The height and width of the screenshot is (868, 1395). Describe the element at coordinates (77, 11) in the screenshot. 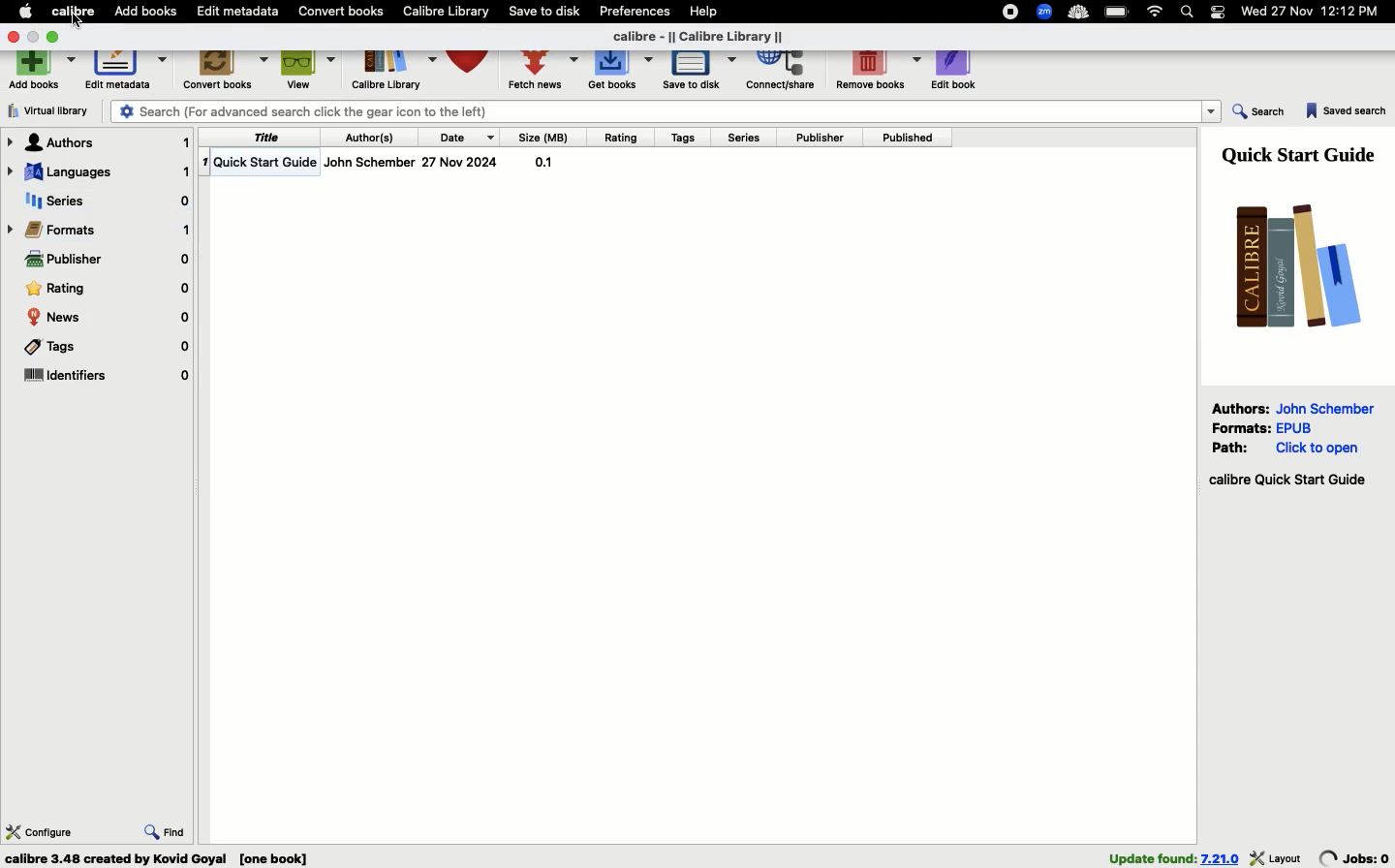

I see `Calibre` at that location.